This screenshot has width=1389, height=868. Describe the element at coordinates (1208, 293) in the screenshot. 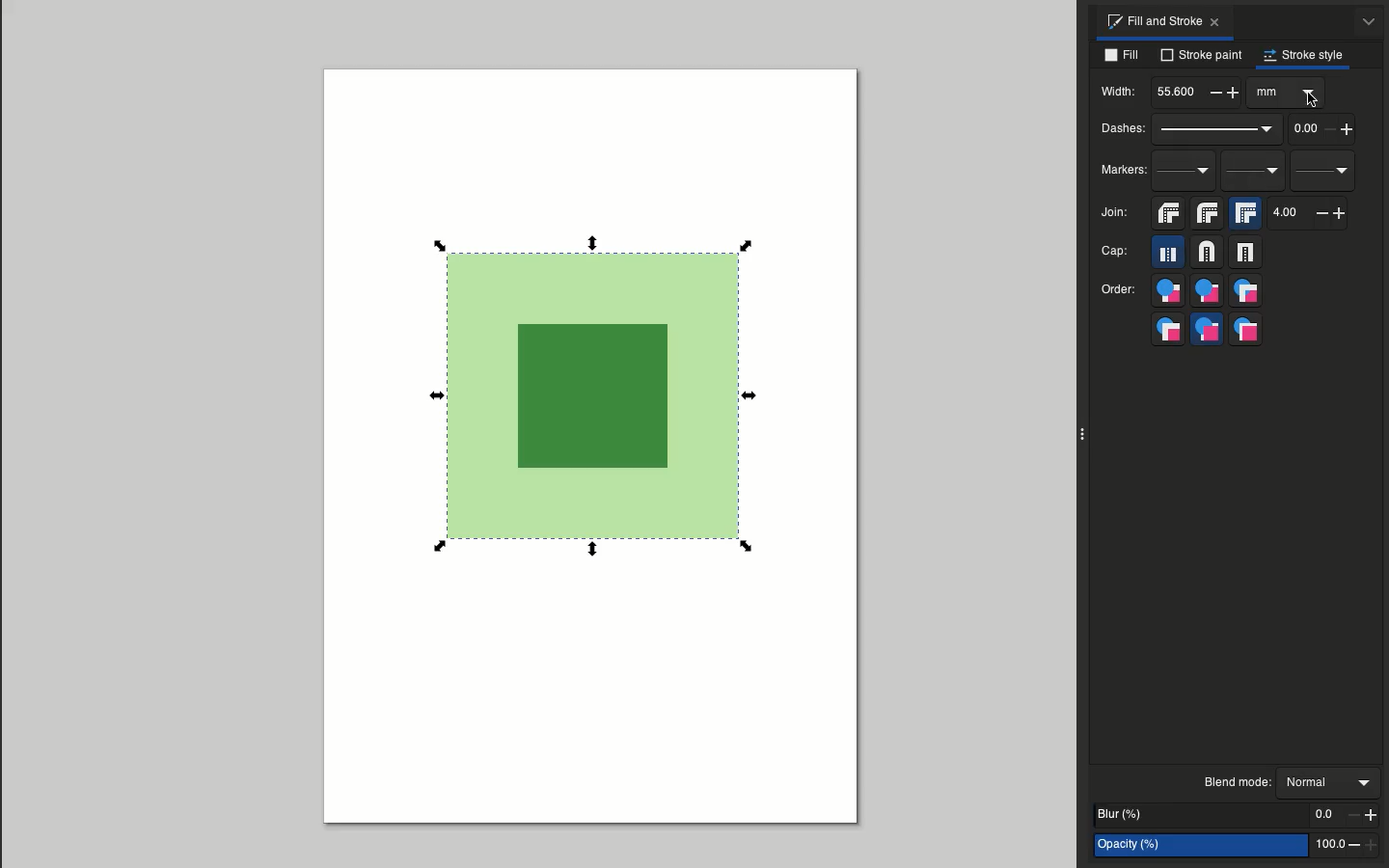

I see `Stroke, fill, markers` at that location.